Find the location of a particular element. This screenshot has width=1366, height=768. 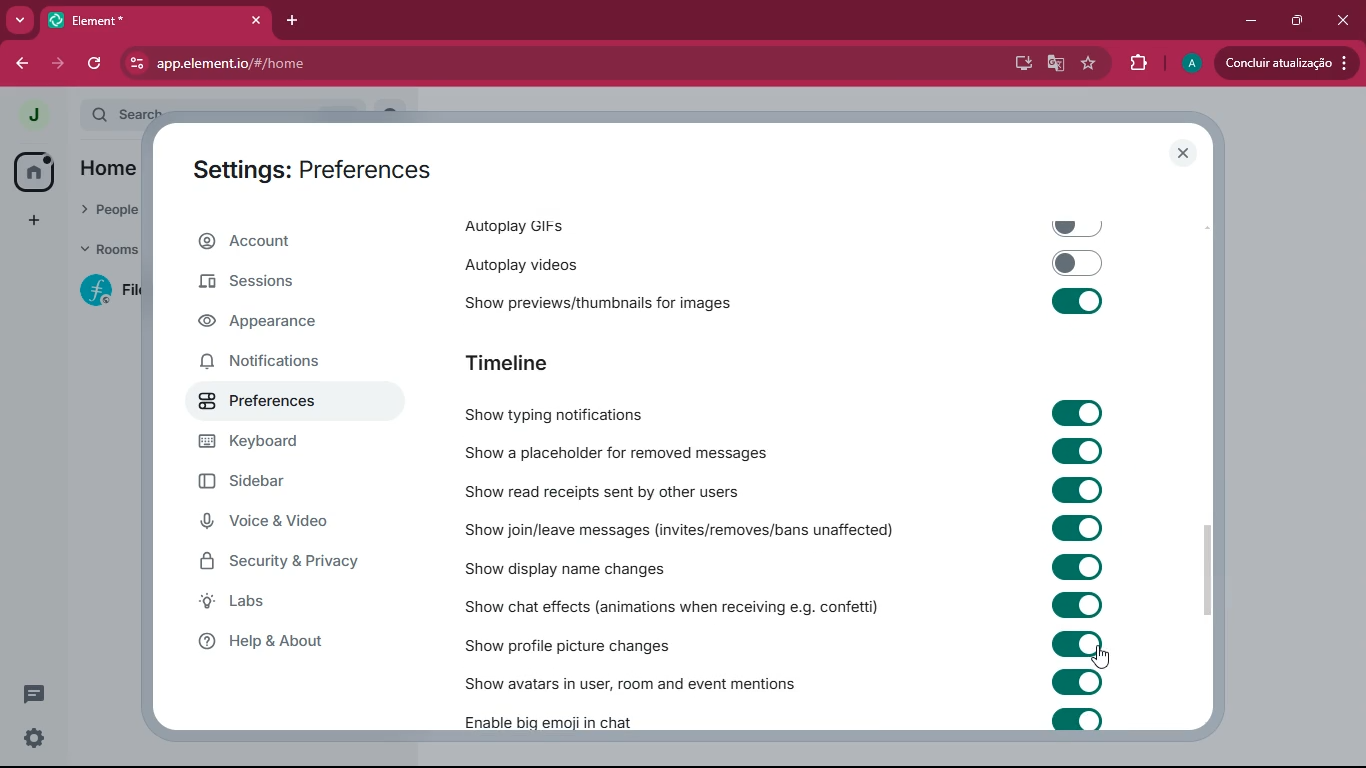

cursor is located at coordinates (1103, 662).